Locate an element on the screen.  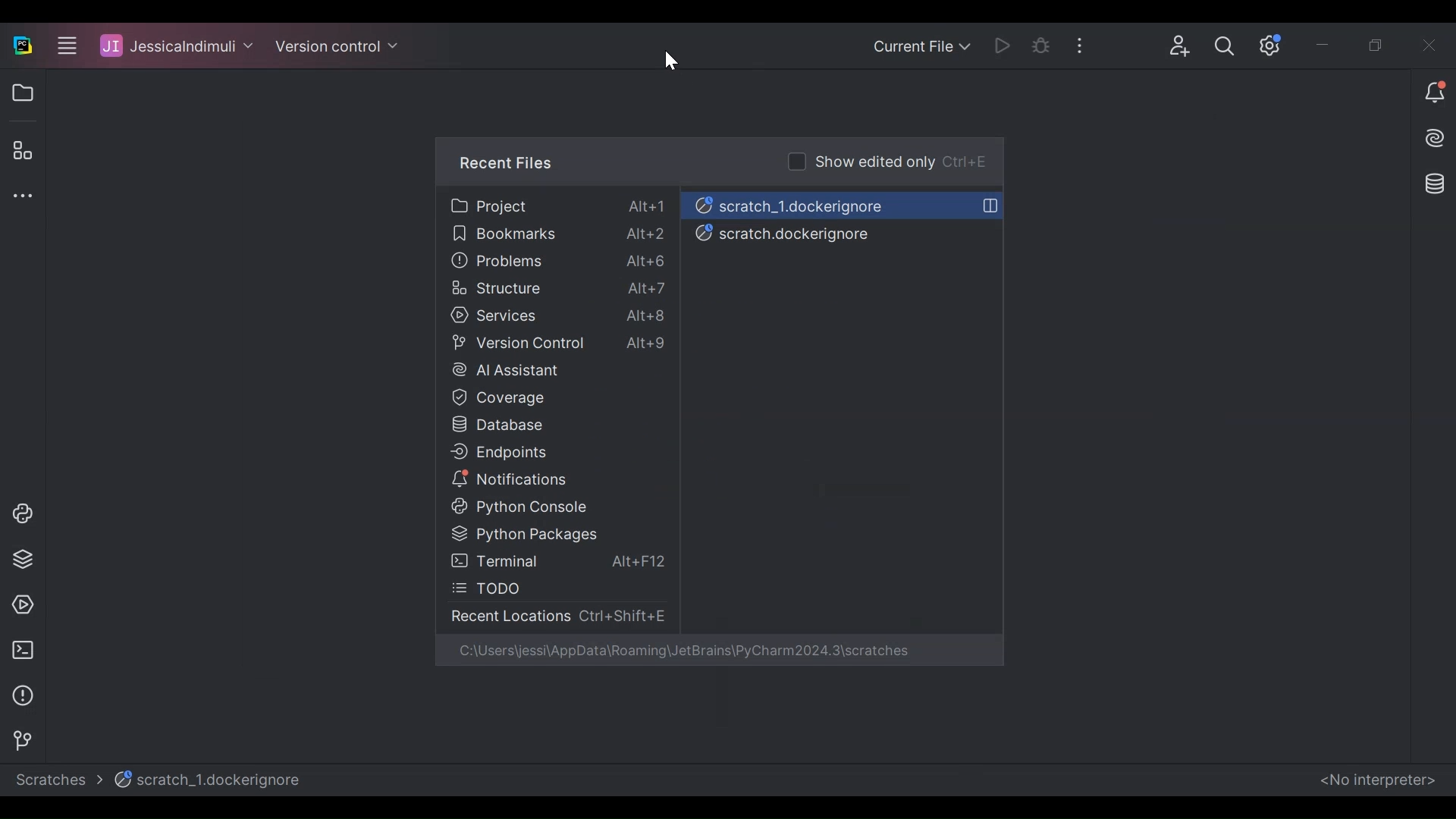
Restore is located at coordinates (1375, 45).